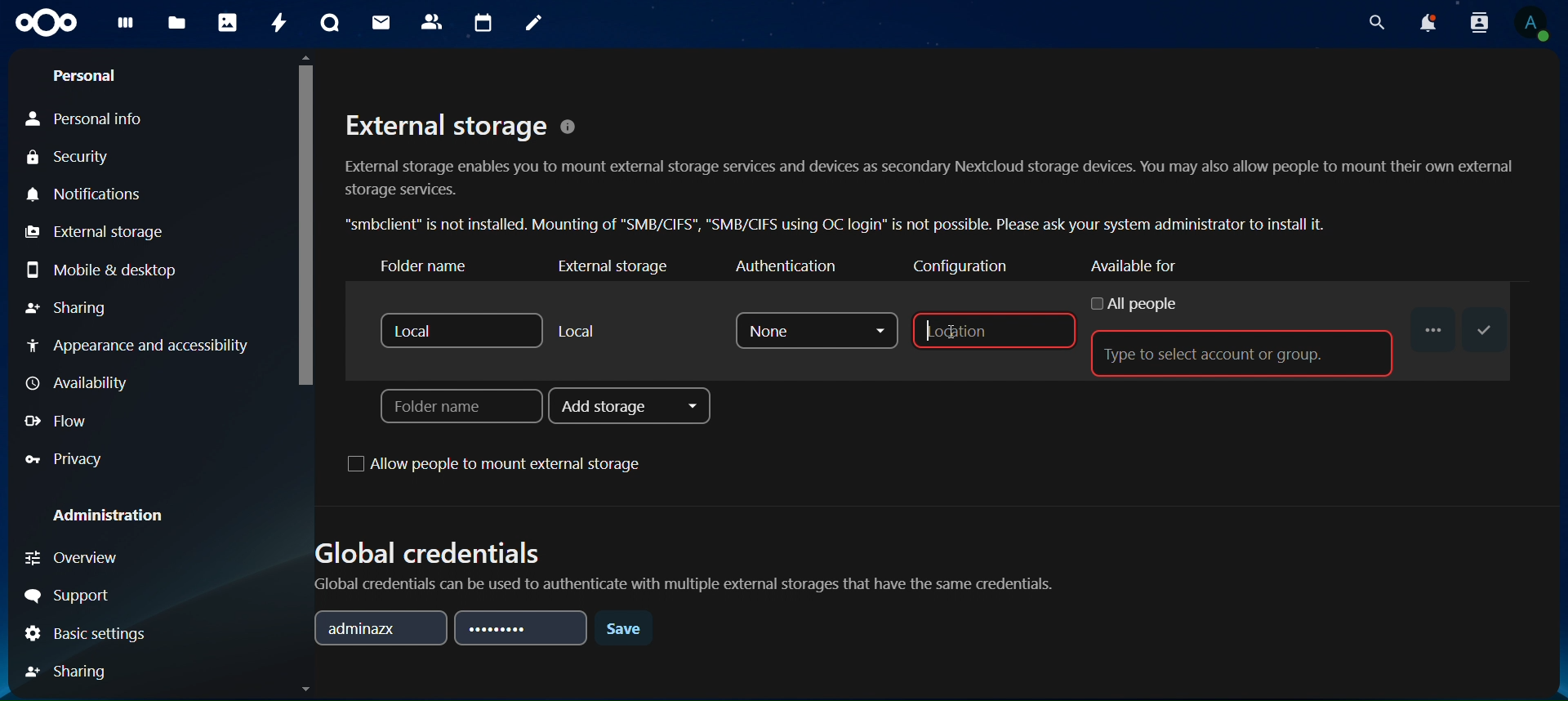  I want to click on files, so click(176, 25).